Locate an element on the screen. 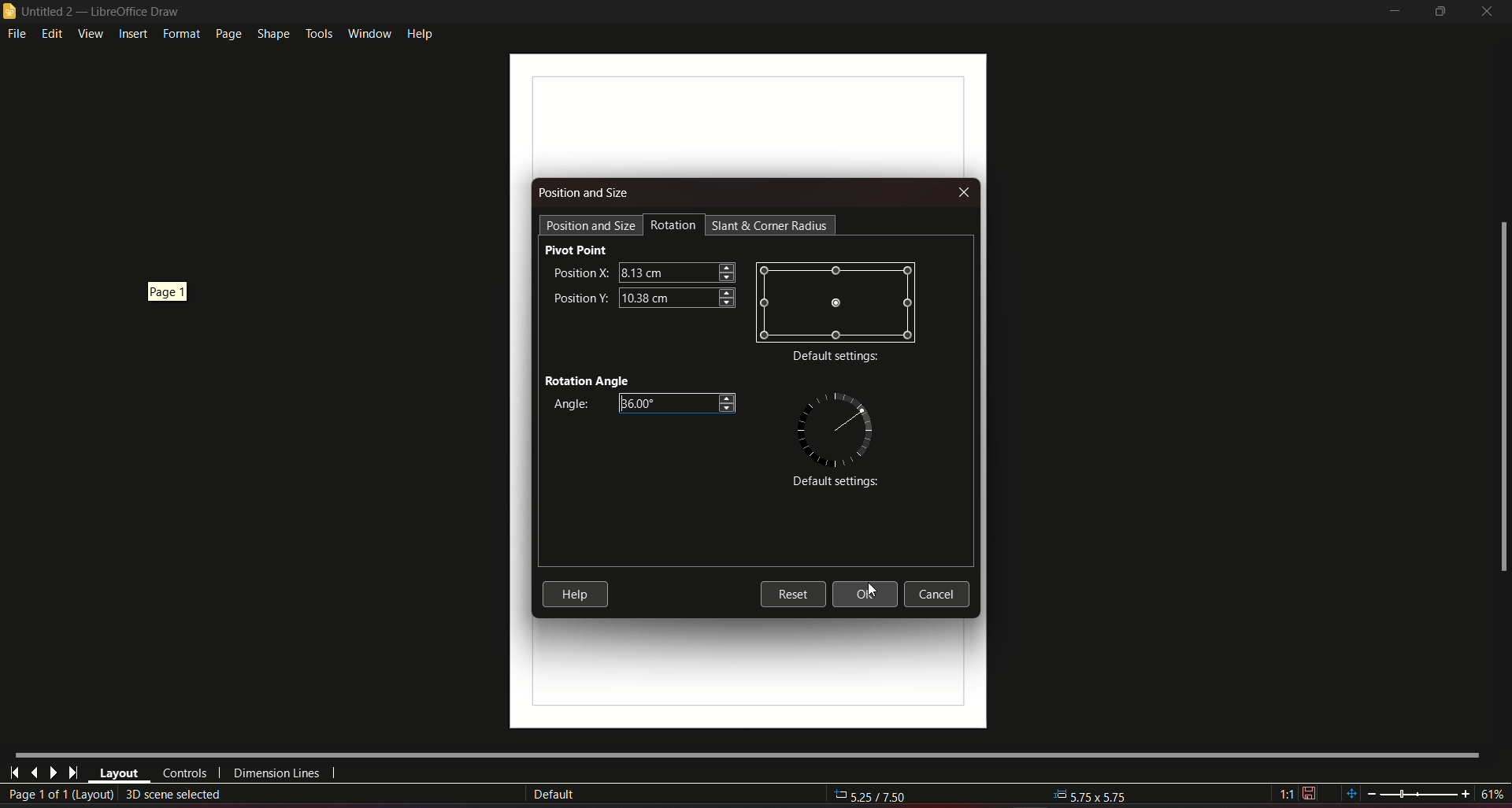 The height and width of the screenshot is (808, 1512). last page is located at coordinates (34, 772).